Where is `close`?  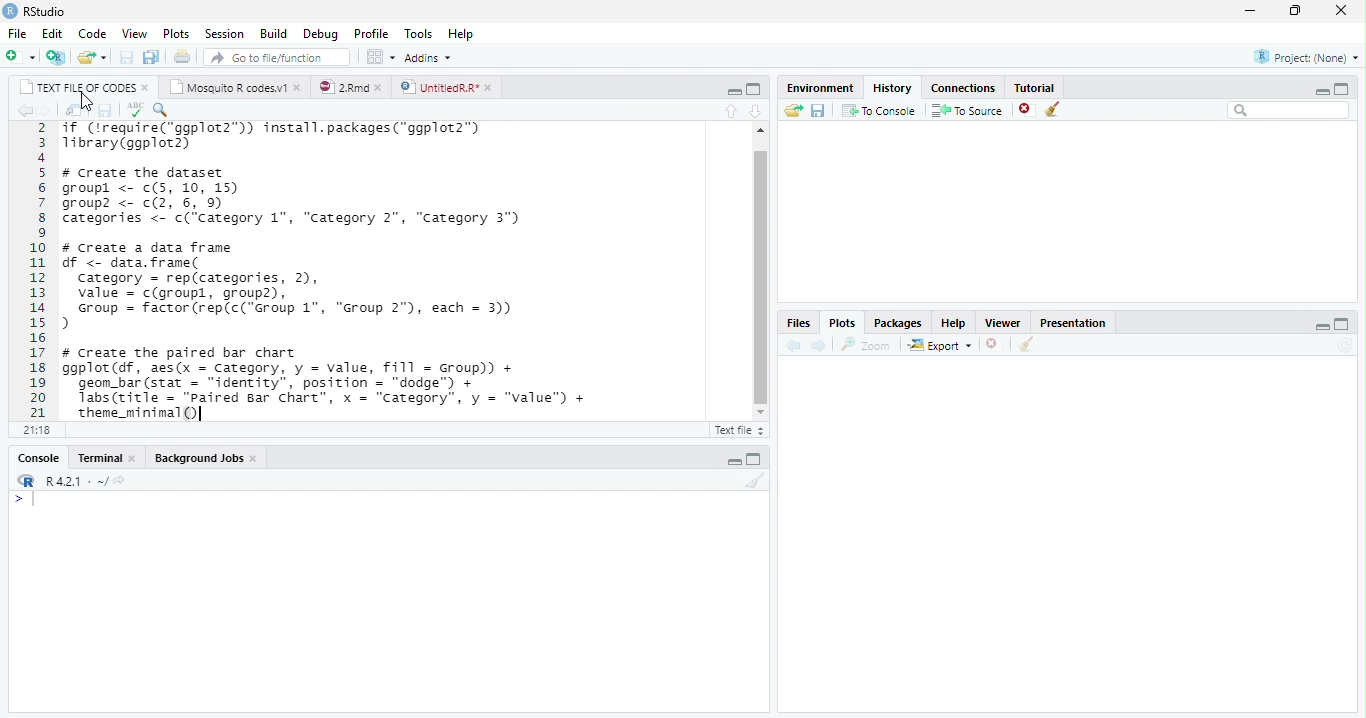 close is located at coordinates (1339, 11).